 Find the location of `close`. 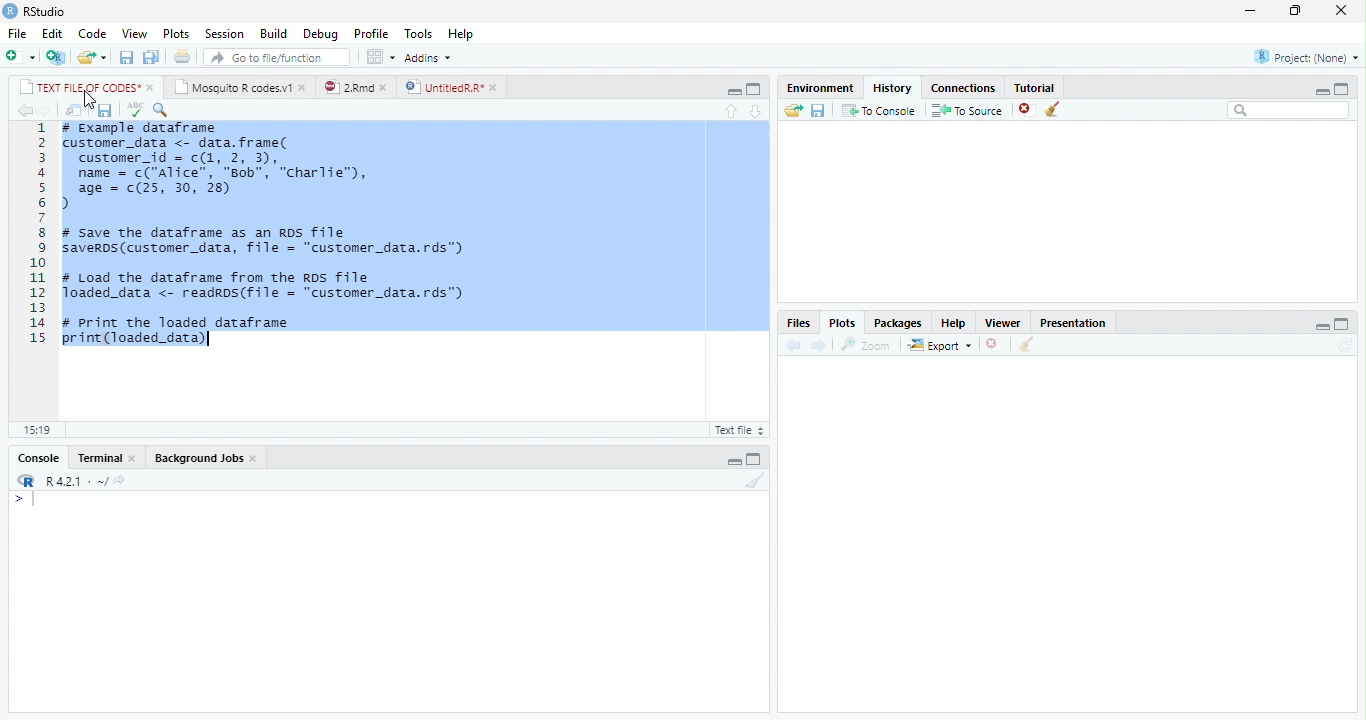

close is located at coordinates (995, 344).